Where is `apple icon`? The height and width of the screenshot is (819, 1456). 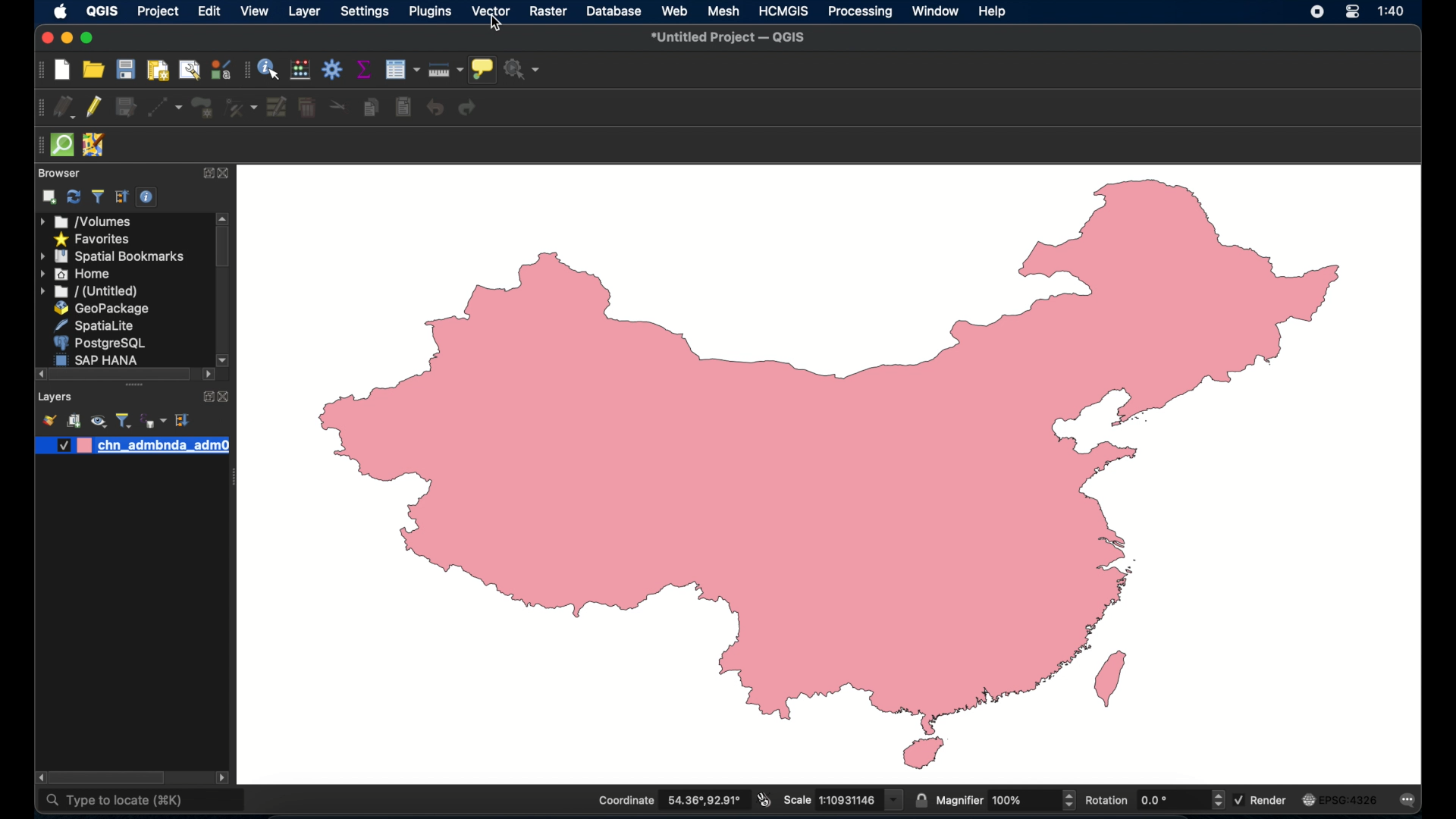
apple icon is located at coordinates (61, 12).